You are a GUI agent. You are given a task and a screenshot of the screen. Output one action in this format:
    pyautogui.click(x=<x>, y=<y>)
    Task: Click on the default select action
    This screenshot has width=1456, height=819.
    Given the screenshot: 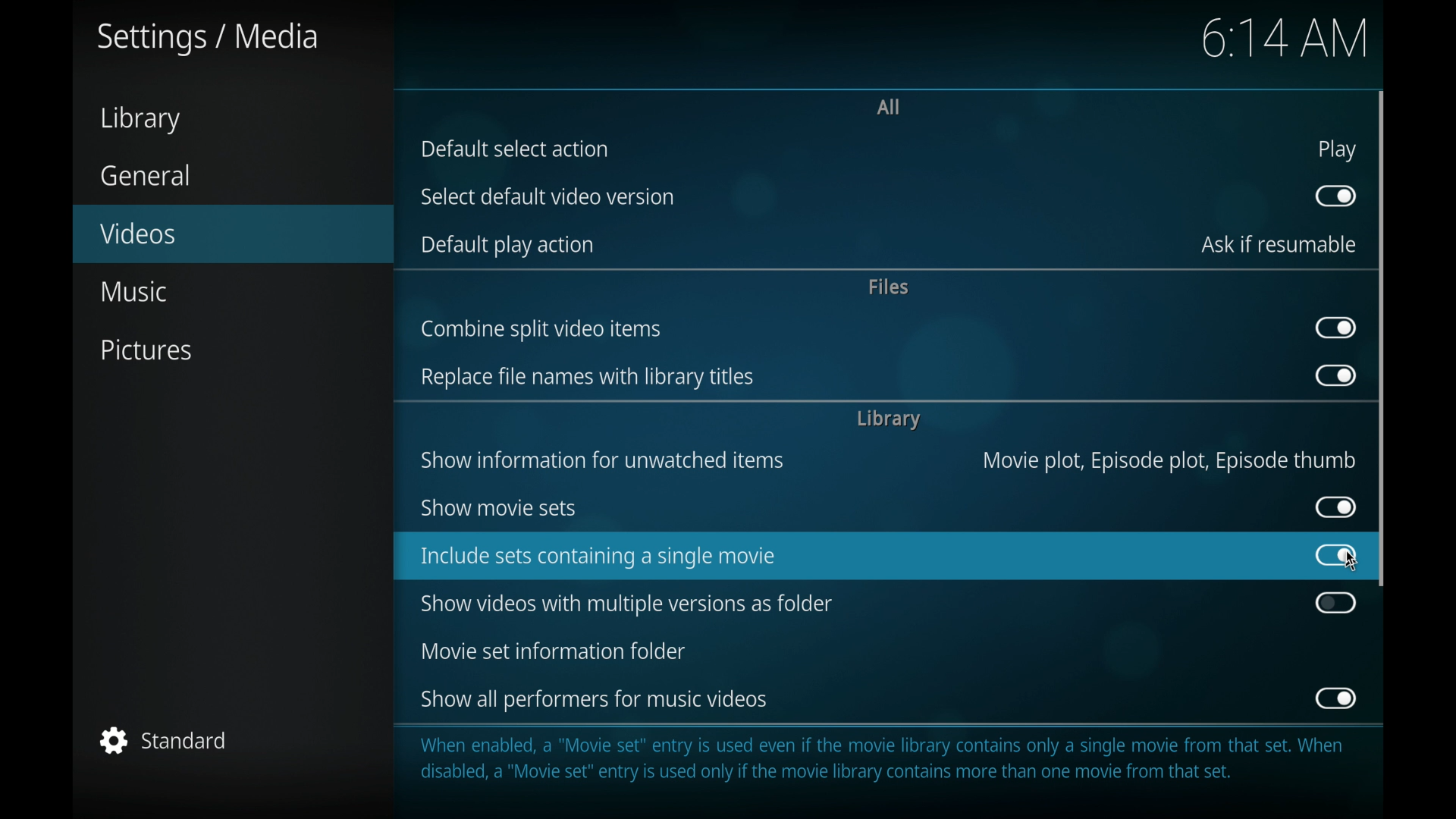 What is the action you would take?
    pyautogui.click(x=516, y=149)
    